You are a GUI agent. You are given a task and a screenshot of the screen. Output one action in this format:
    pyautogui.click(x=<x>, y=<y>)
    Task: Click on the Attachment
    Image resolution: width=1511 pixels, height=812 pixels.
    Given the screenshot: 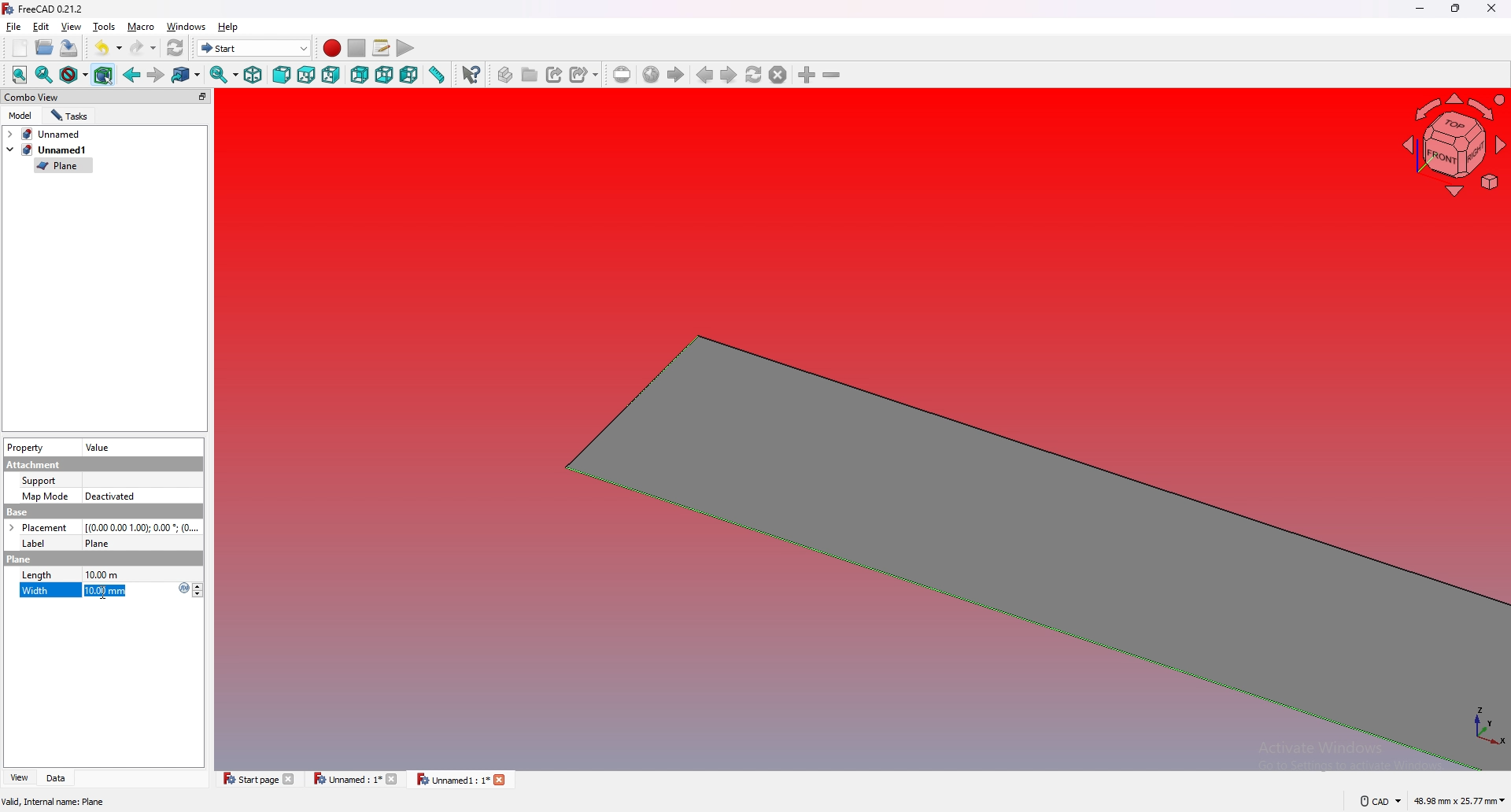 What is the action you would take?
    pyautogui.click(x=36, y=464)
    